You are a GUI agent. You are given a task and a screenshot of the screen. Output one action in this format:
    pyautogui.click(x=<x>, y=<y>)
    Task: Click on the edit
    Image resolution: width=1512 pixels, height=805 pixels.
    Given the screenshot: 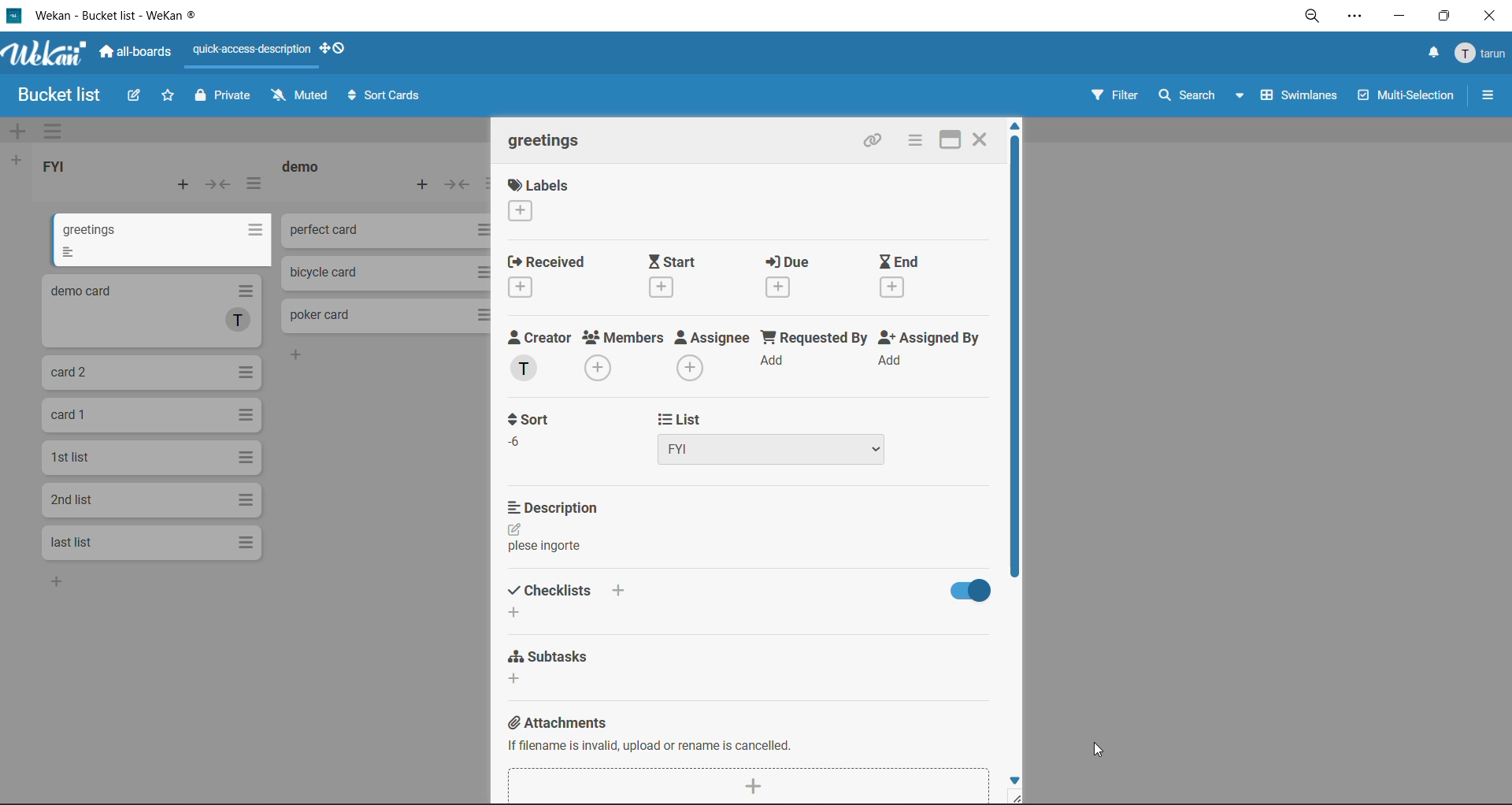 What is the action you would take?
    pyautogui.click(x=516, y=529)
    